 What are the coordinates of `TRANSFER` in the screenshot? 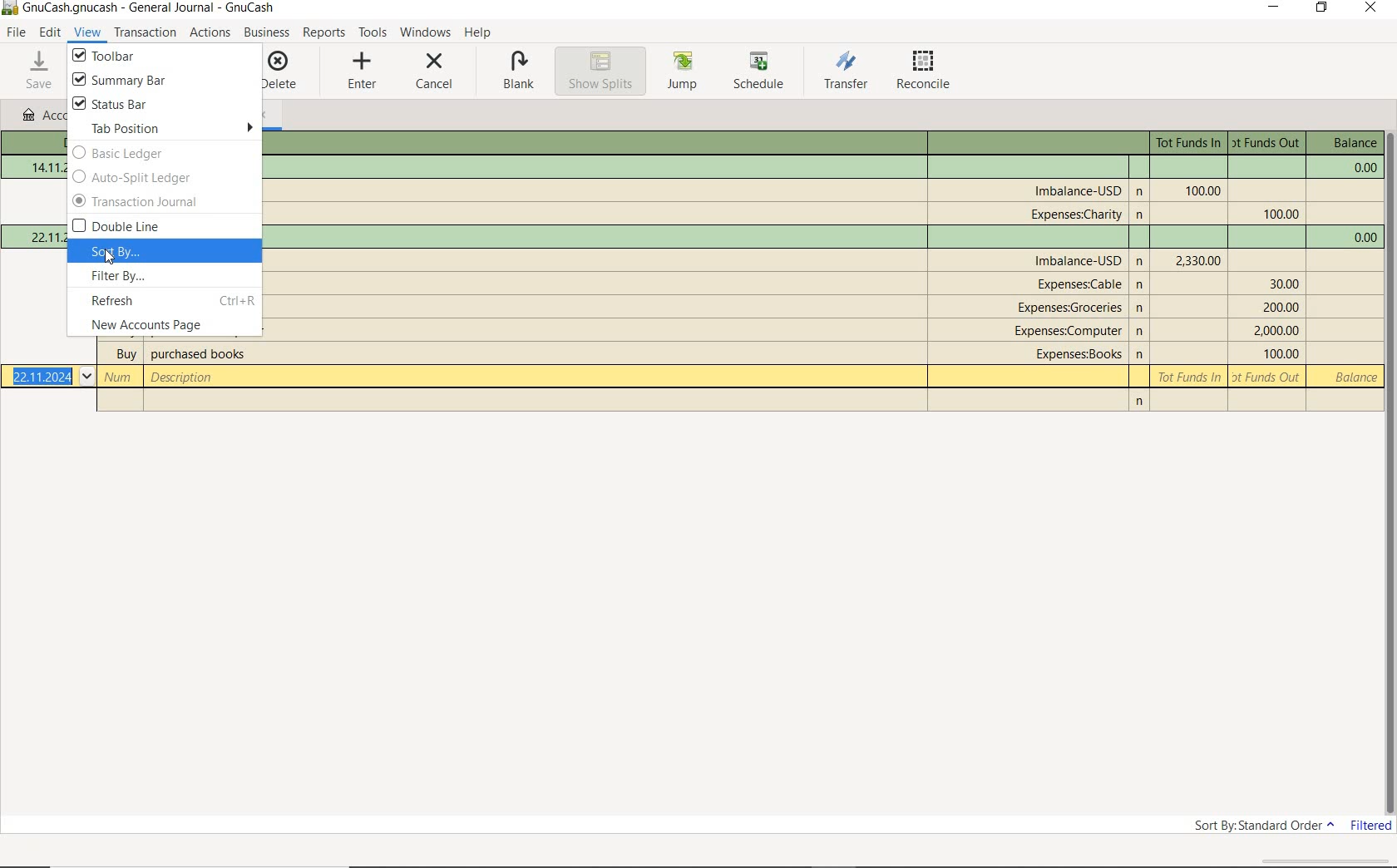 It's located at (846, 71).